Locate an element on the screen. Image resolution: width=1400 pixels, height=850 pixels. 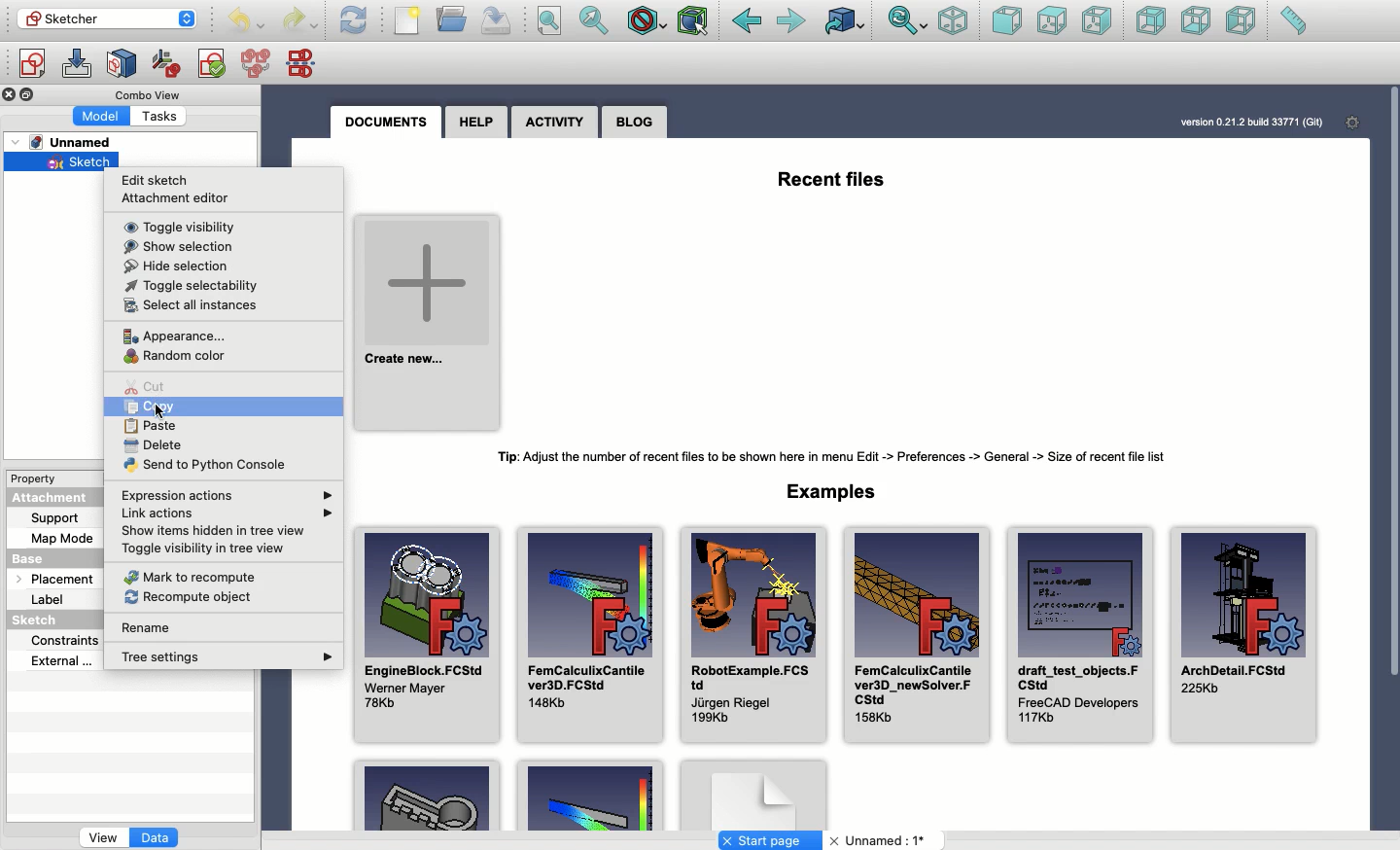
Unnamed is located at coordinates (69, 143).